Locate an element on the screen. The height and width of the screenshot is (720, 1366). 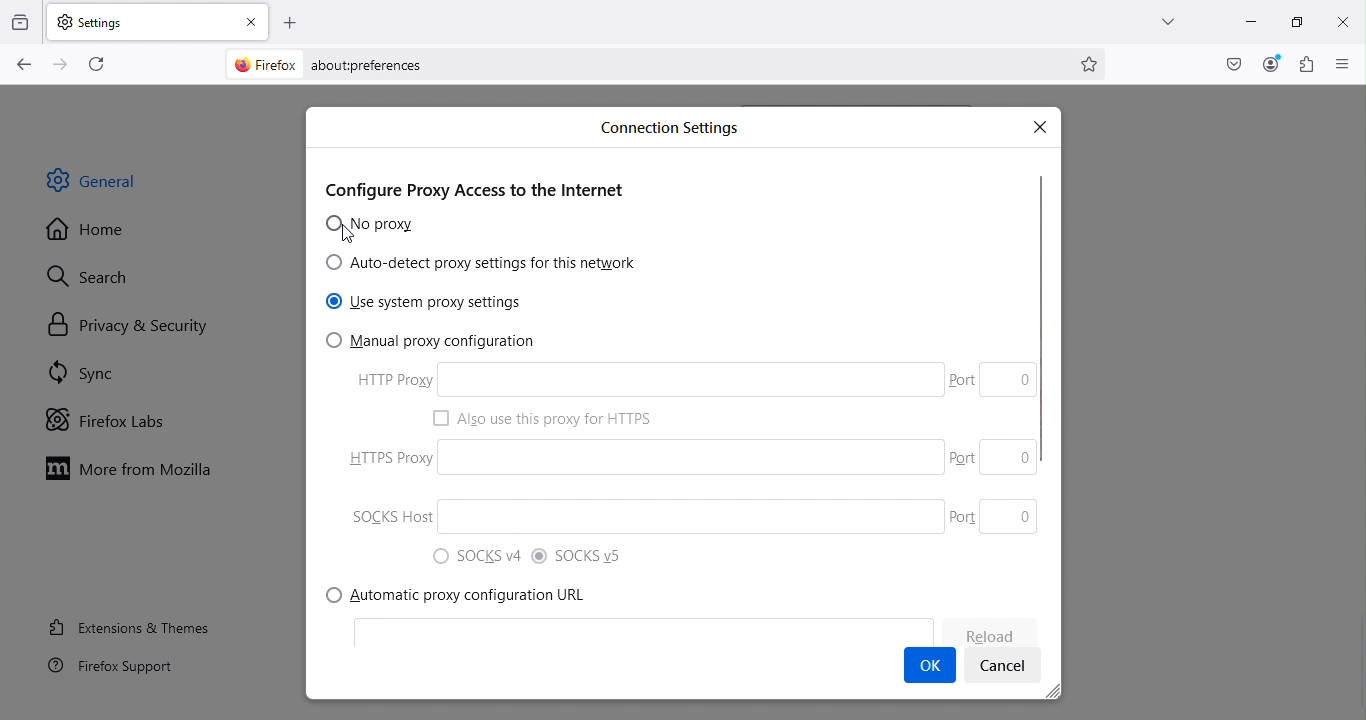
Scroll bar is located at coordinates (1358, 401).